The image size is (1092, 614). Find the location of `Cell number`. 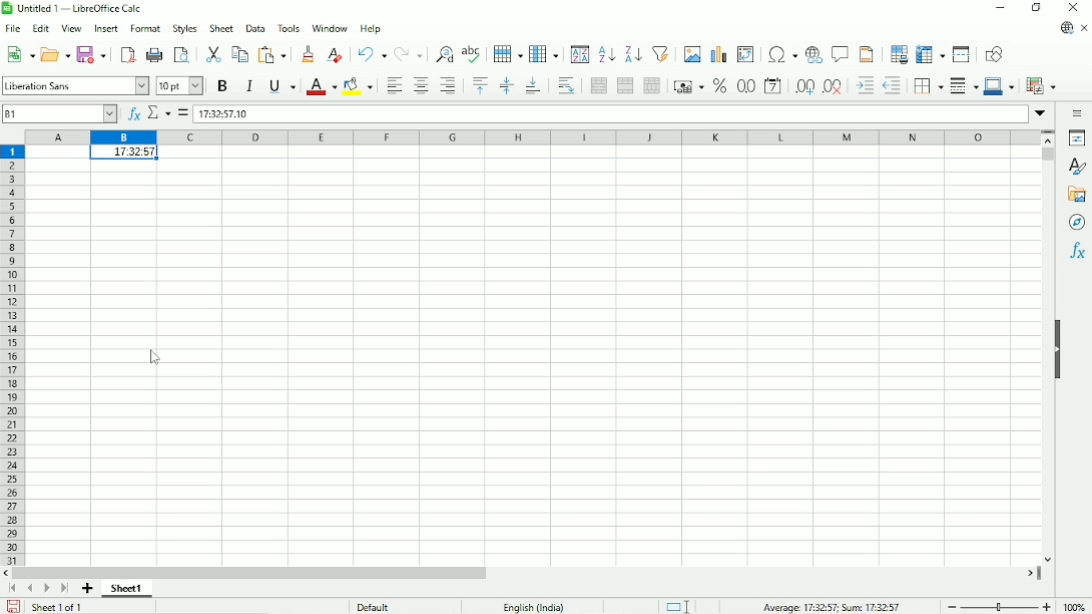

Cell number is located at coordinates (61, 114).